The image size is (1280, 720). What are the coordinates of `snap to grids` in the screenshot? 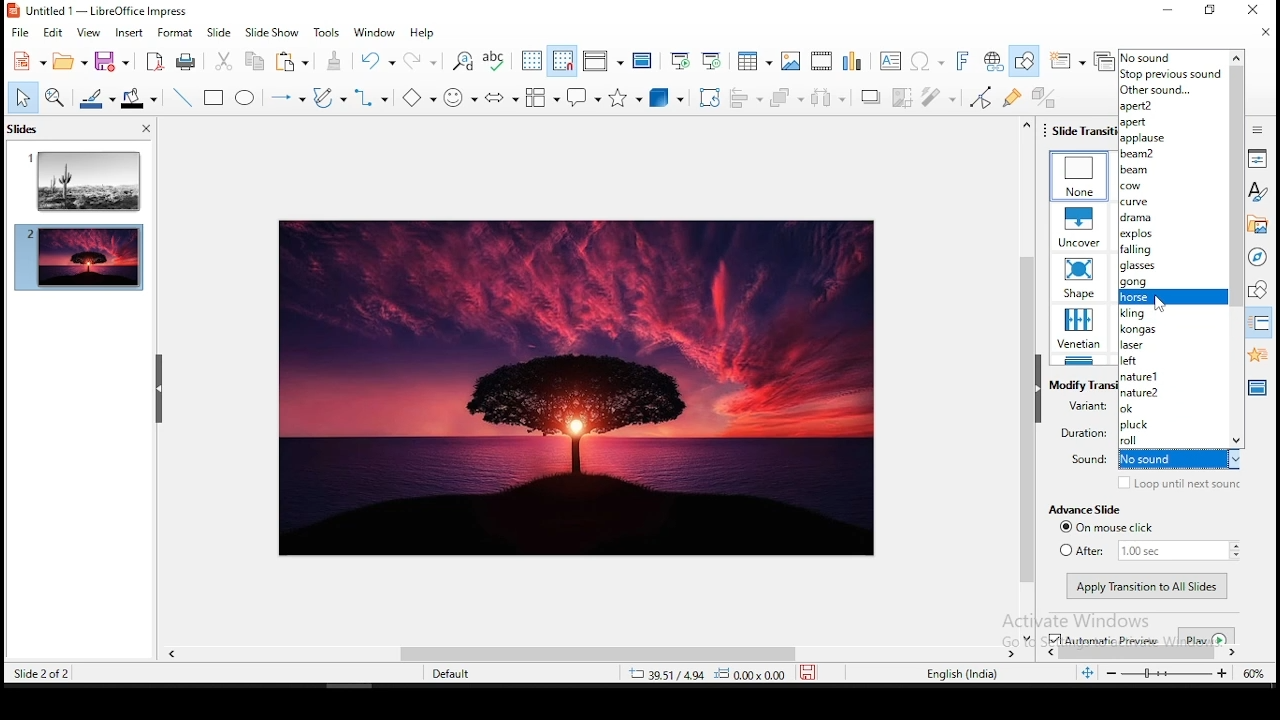 It's located at (563, 61).